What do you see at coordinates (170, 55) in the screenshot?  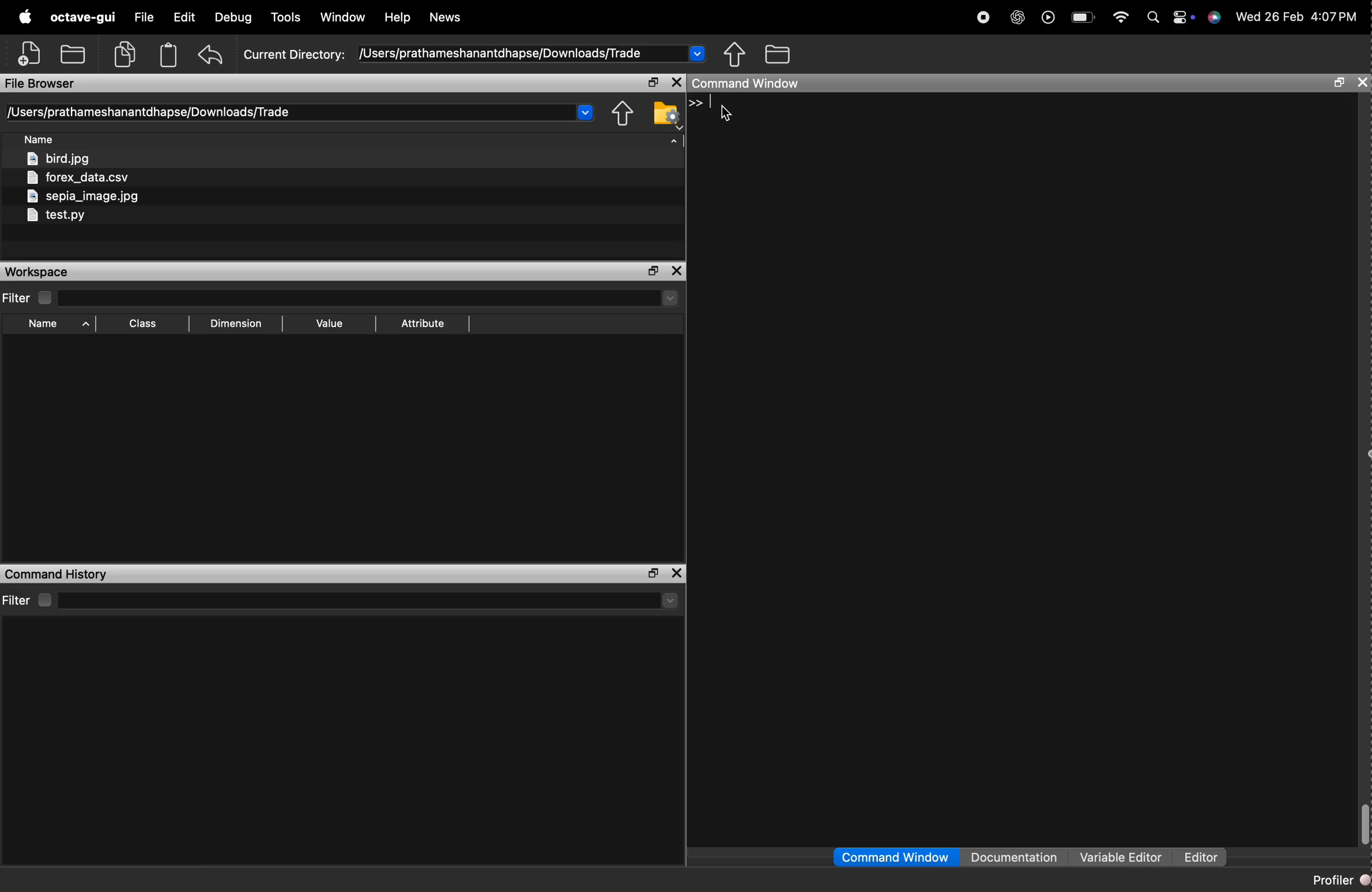 I see `Clipboard ` at bounding box center [170, 55].